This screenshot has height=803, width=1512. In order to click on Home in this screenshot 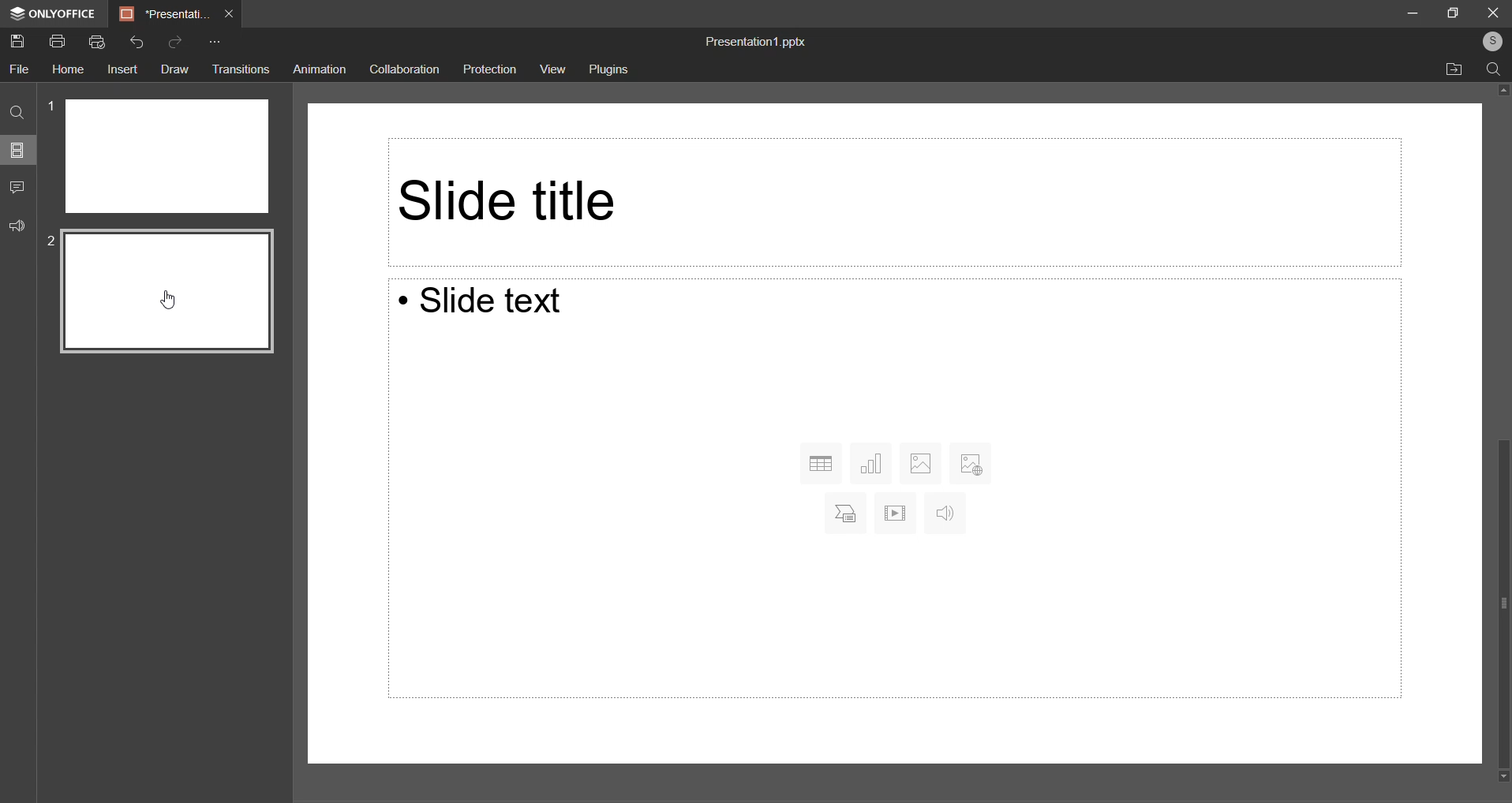, I will do `click(69, 69)`.